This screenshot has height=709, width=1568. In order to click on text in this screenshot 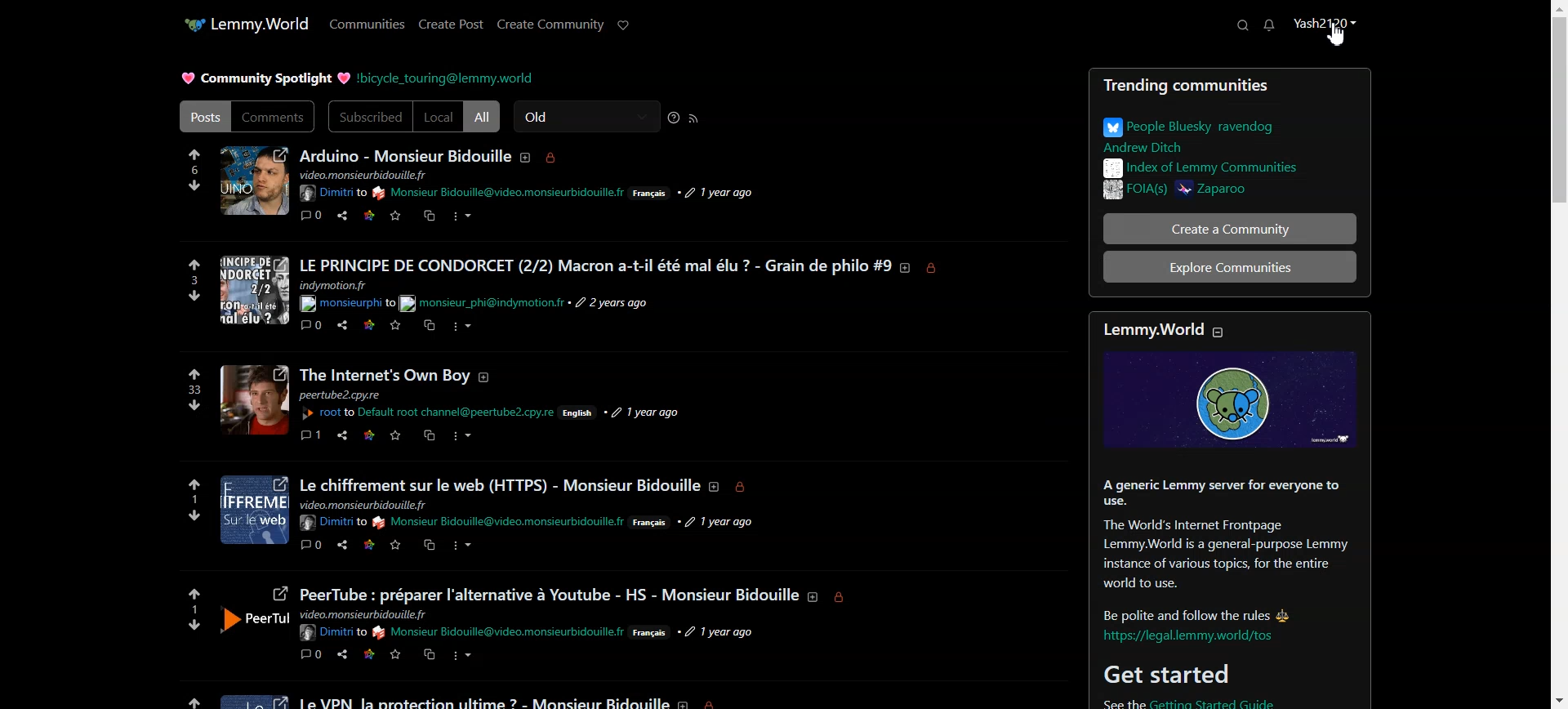, I will do `click(350, 395)`.